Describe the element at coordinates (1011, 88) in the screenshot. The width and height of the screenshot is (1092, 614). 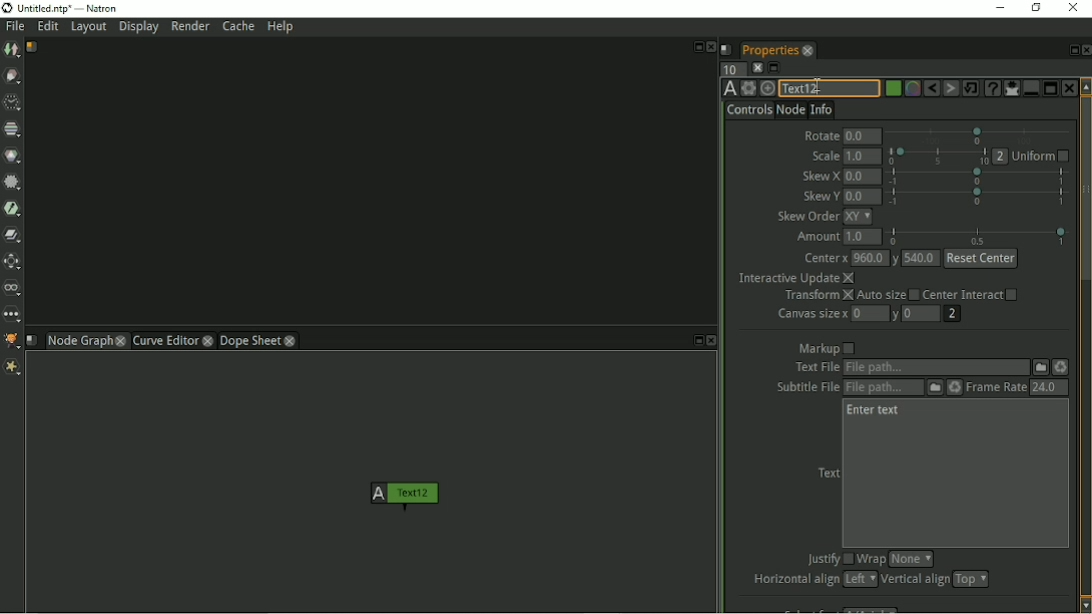
I see `Show/hide all parameters` at that location.